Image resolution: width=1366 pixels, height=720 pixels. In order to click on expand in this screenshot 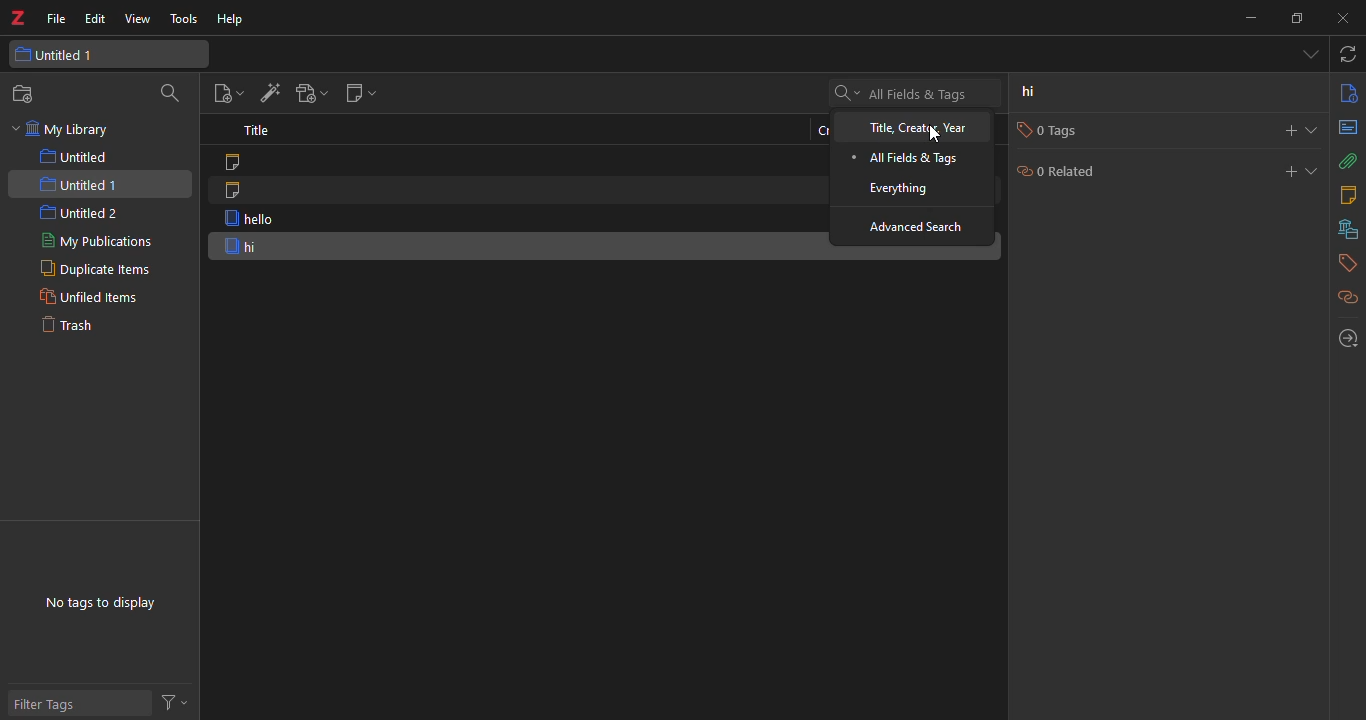, I will do `click(1313, 170)`.